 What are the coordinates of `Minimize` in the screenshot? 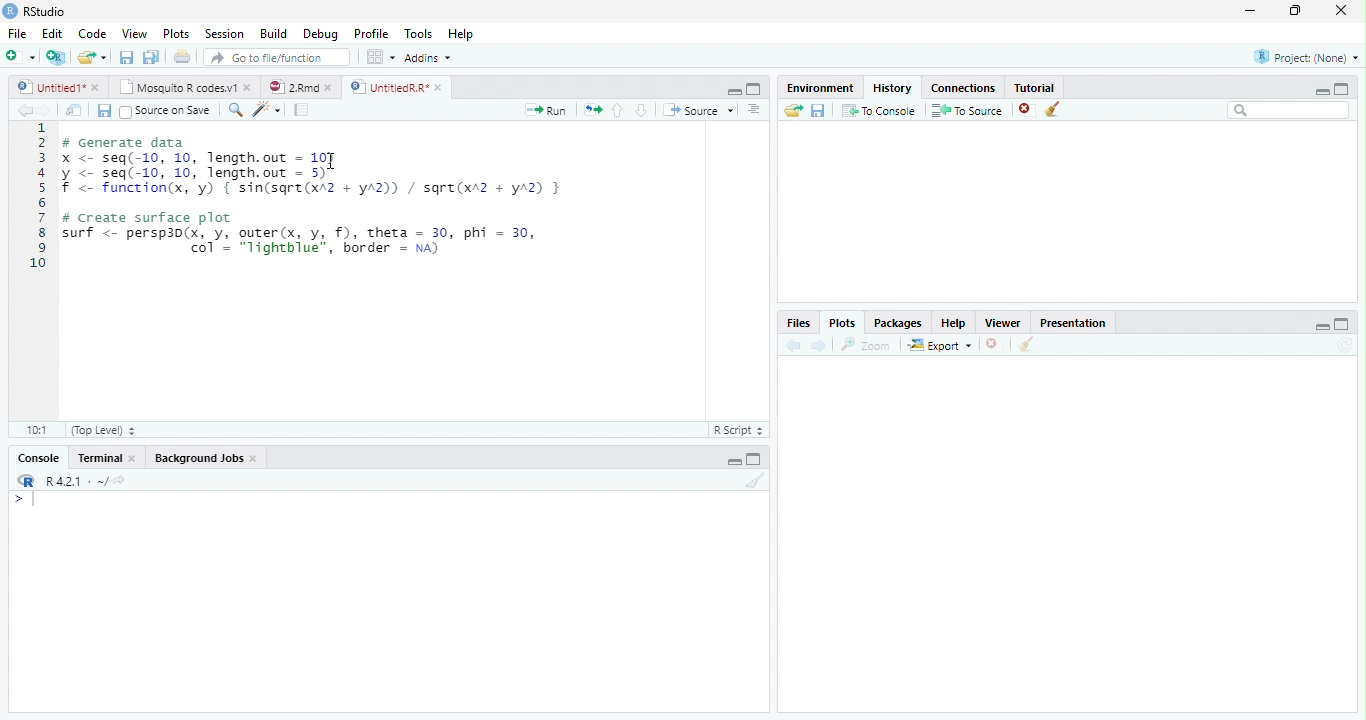 It's located at (734, 461).